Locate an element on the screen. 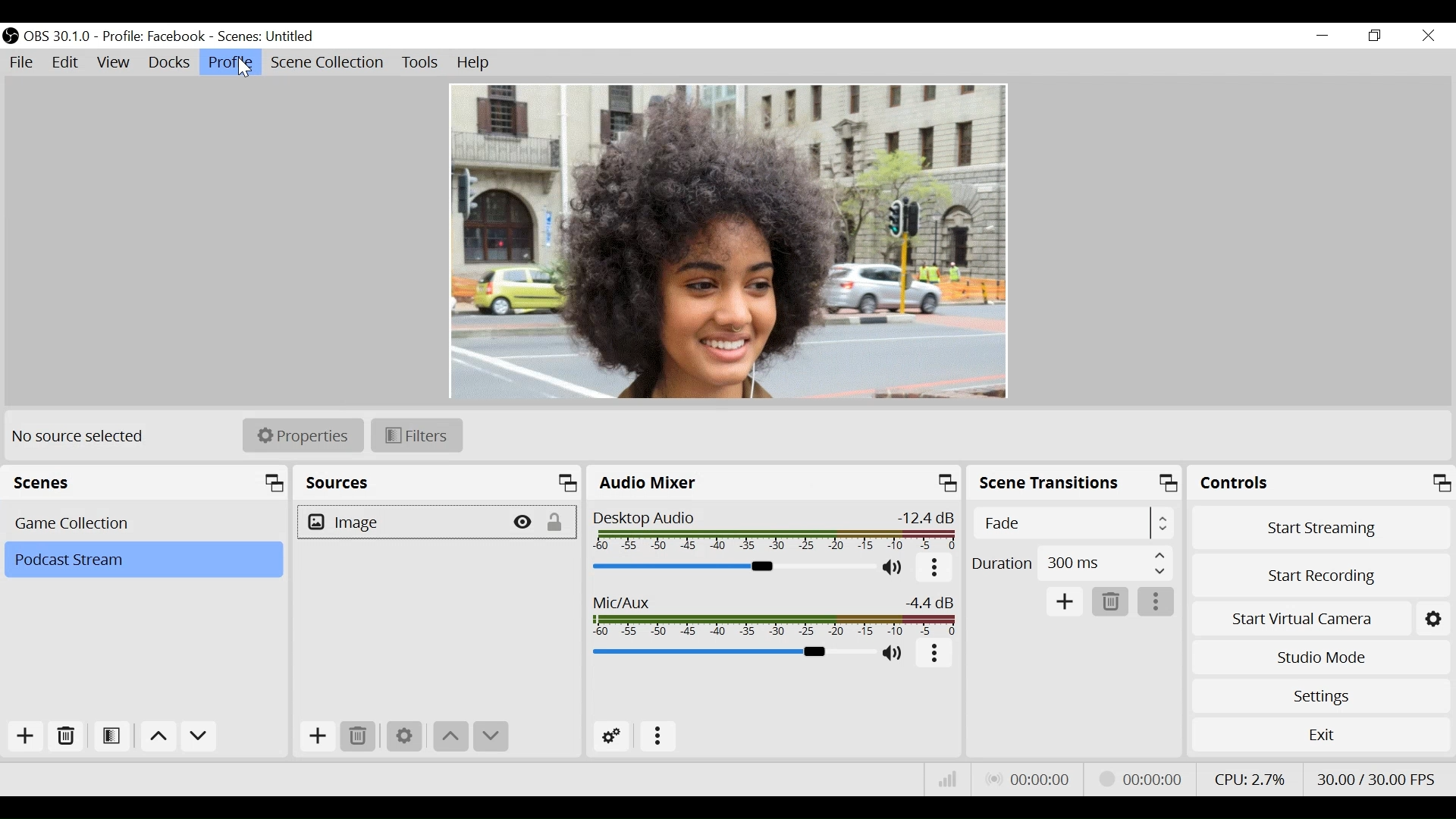  Add is located at coordinates (26, 736).